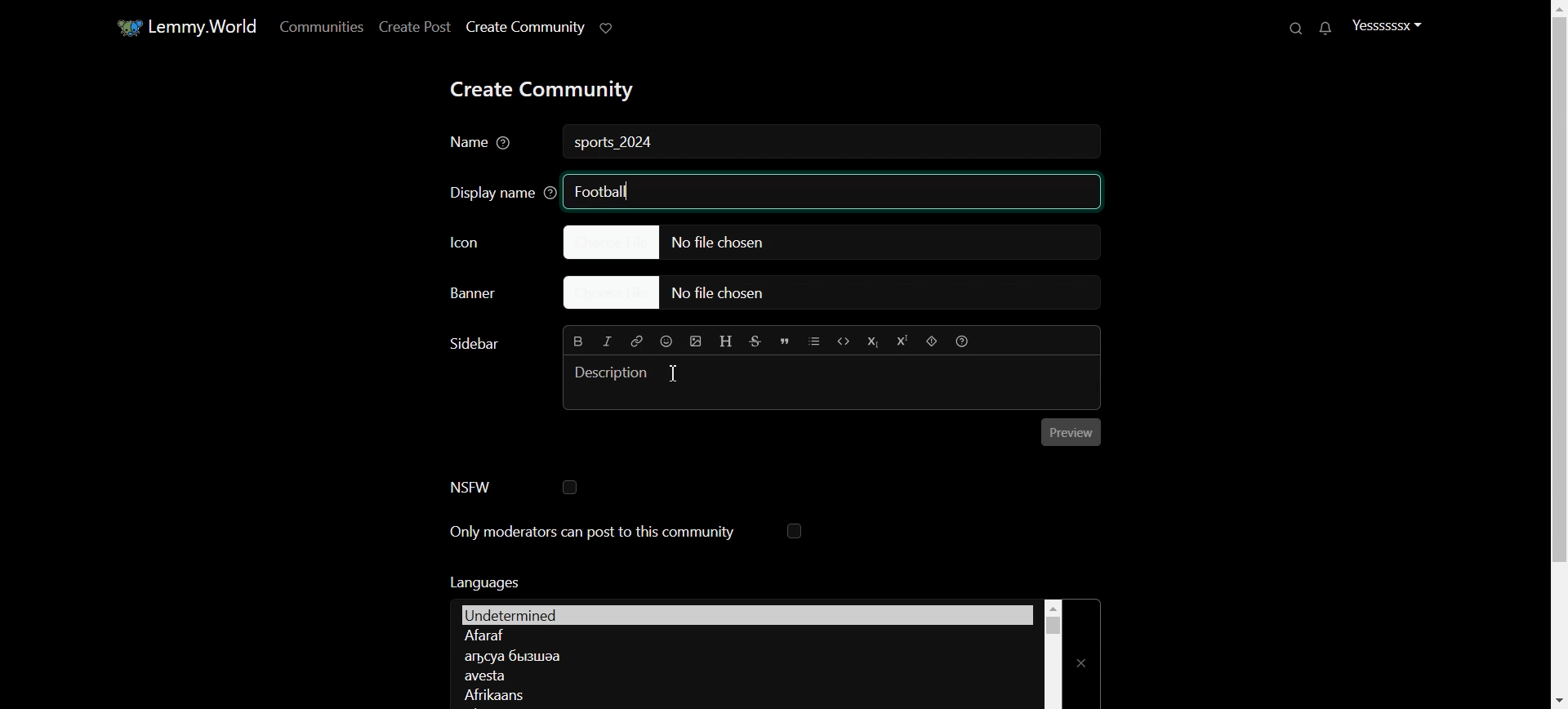 Image resolution: width=1568 pixels, height=709 pixels. What do you see at coordinates (785, 341) in the screenshot?
I see `Quote` at bounding box center [785, 341].